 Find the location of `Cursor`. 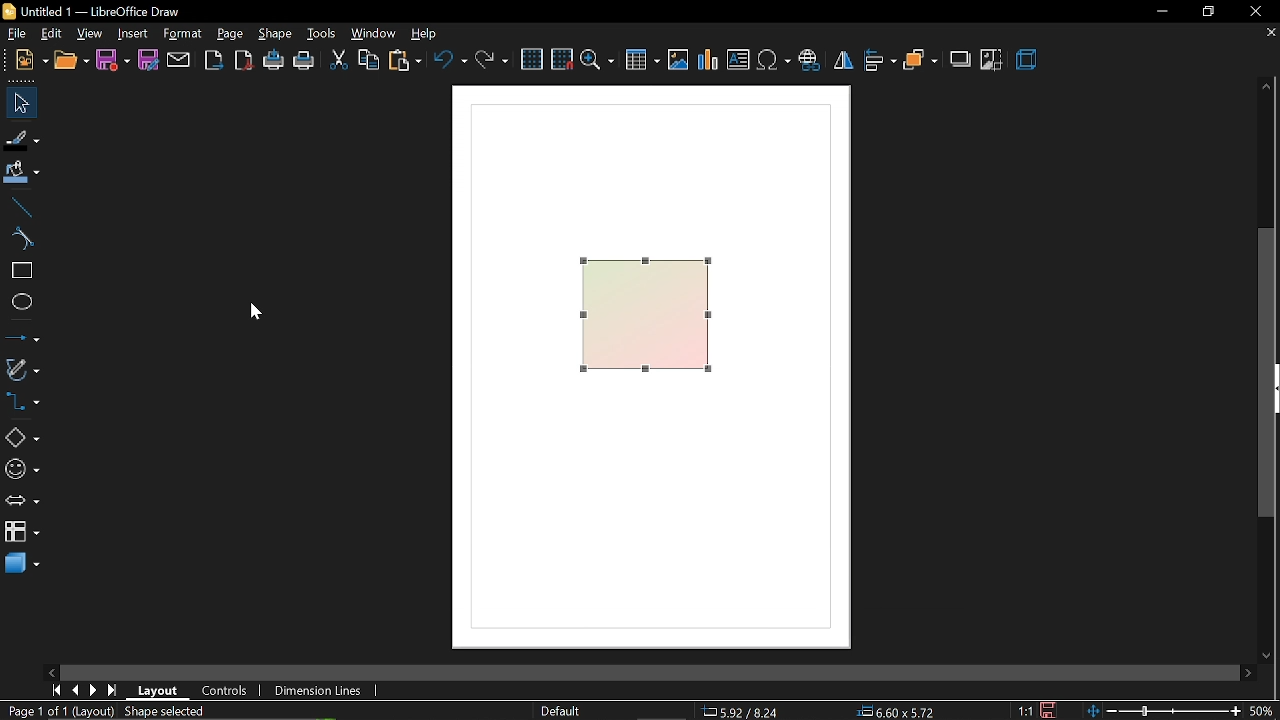

Cursor is located at coordinates (252, 313).